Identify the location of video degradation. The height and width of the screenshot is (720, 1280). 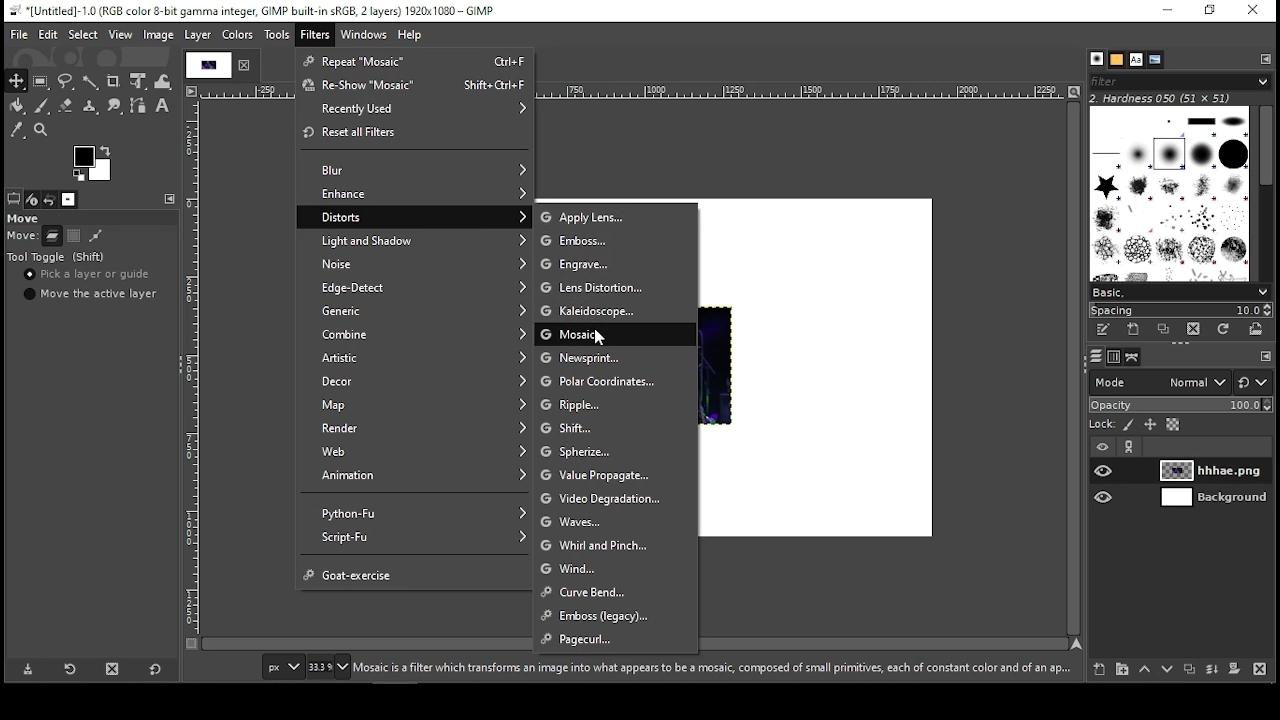
(618, 501).